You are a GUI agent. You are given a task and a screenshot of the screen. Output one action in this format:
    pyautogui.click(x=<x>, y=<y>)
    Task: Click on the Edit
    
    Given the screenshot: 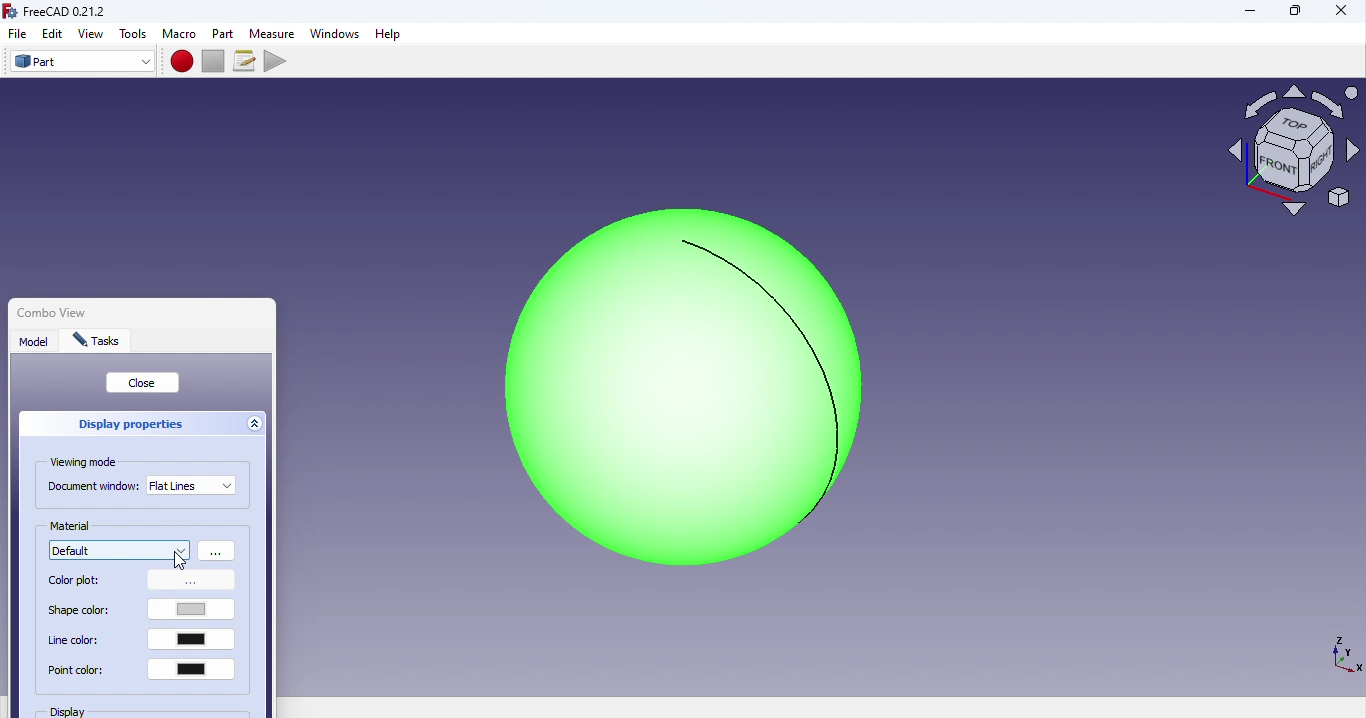 What is the action you would take?
    pyautogui.click(x=53, y=33)
    